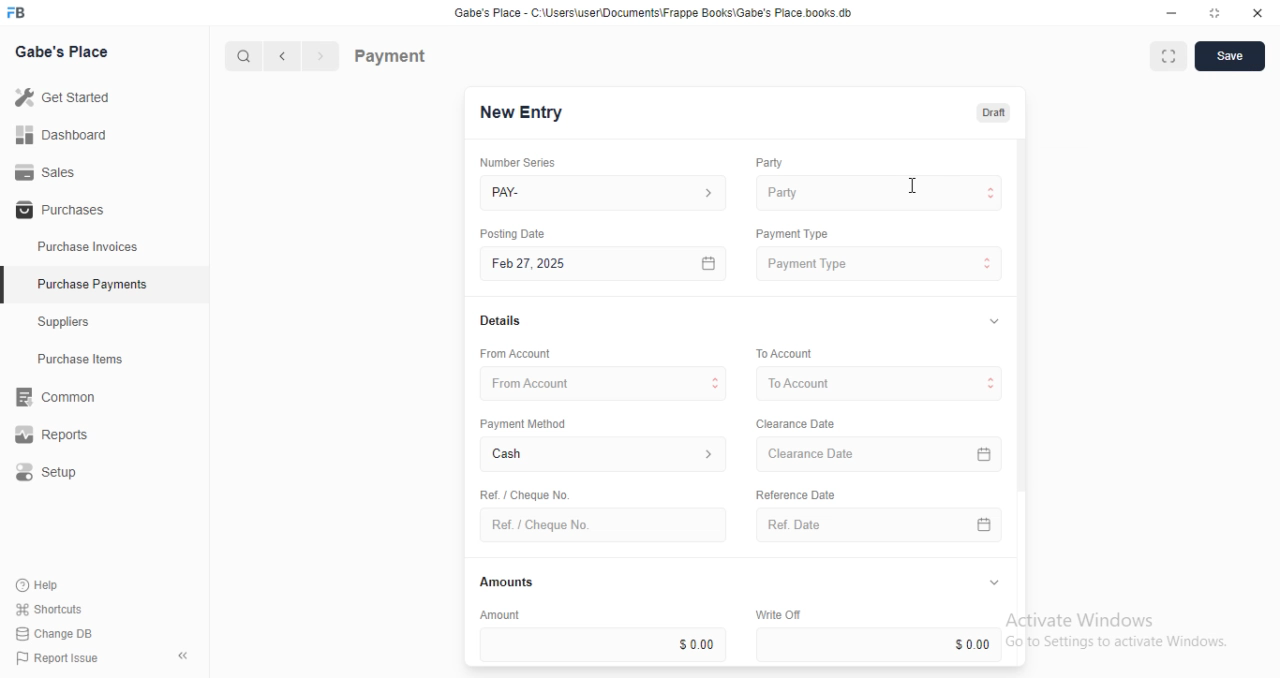 This screenshot has width=1280, height=678. Describe the element at coordinates (605, 193) in the screenshot. I see `PAY-` at that location.